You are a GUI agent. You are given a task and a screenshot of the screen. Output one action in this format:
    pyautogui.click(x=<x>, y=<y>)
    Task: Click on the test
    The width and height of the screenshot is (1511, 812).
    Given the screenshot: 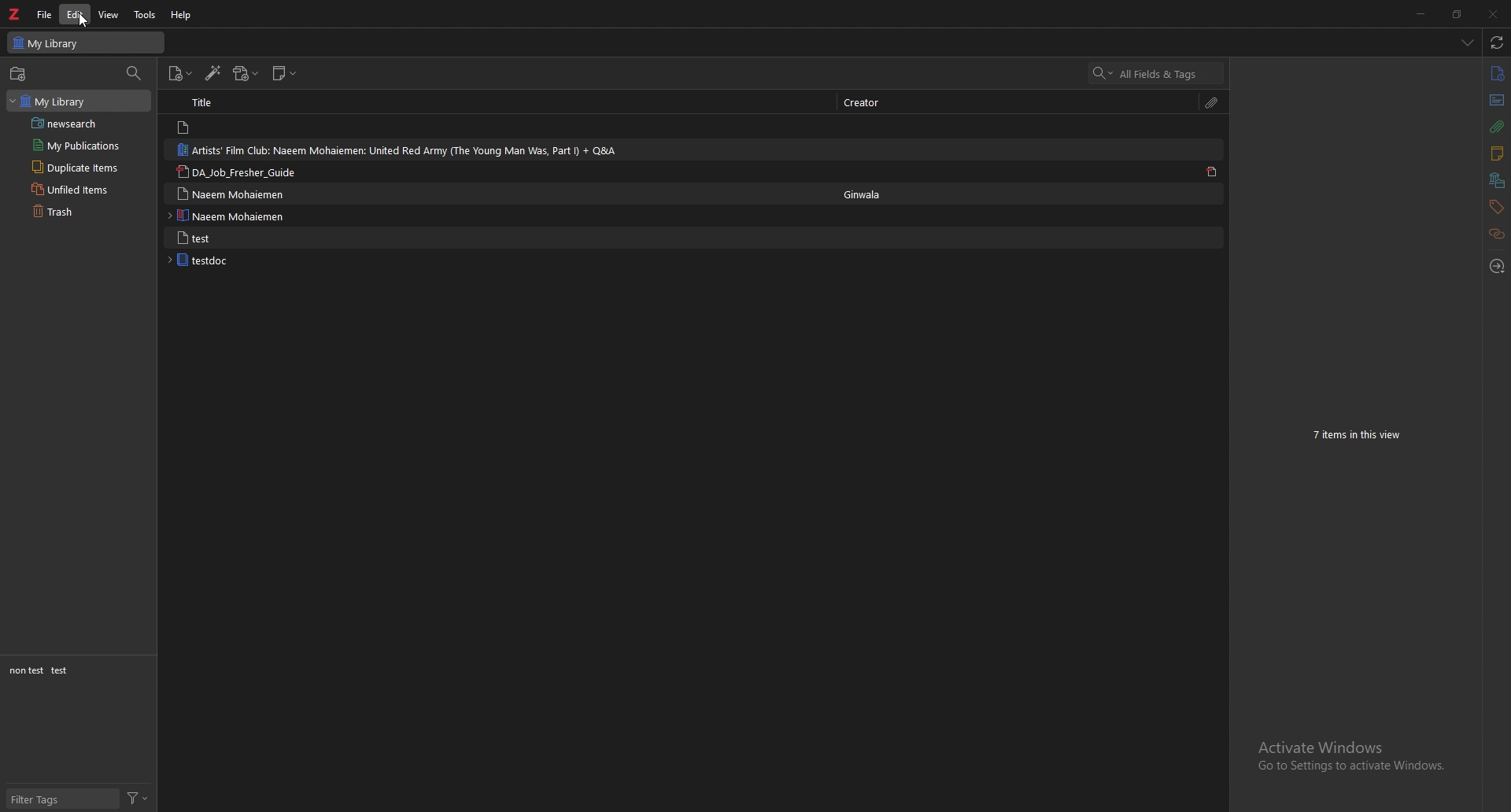 What is the action you would take?
    pyautogui.click(x=238, y=238)
    